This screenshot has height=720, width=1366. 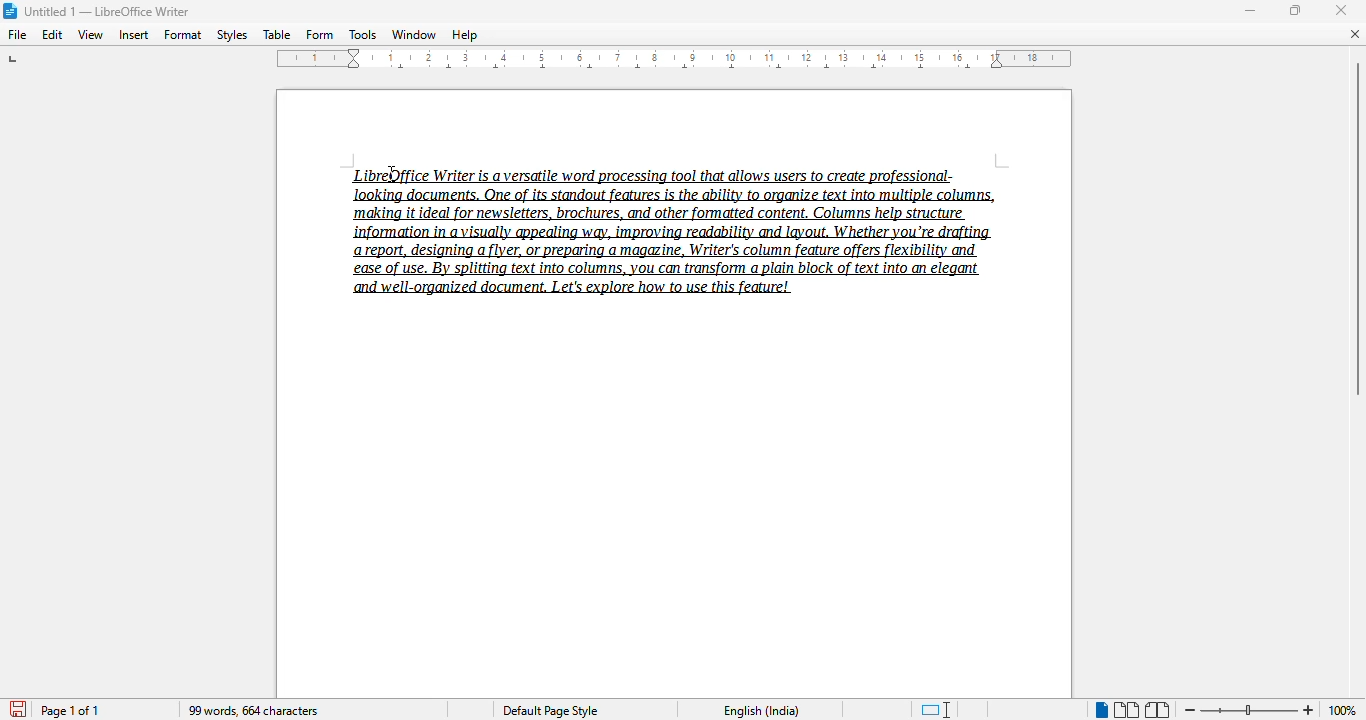 I want to click on zoom in, so click(x=1307, y=710).